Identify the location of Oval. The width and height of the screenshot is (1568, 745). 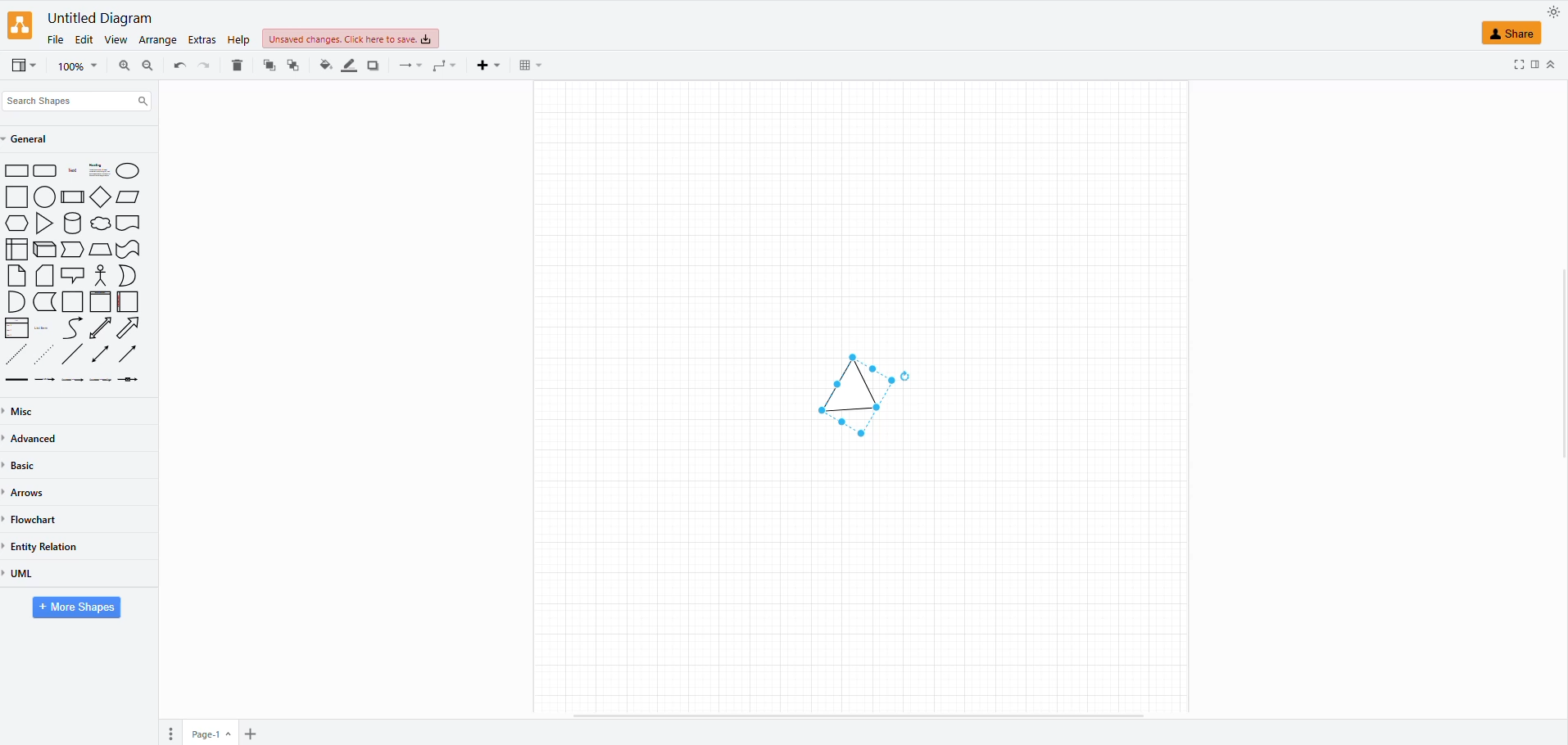
(45, 196).